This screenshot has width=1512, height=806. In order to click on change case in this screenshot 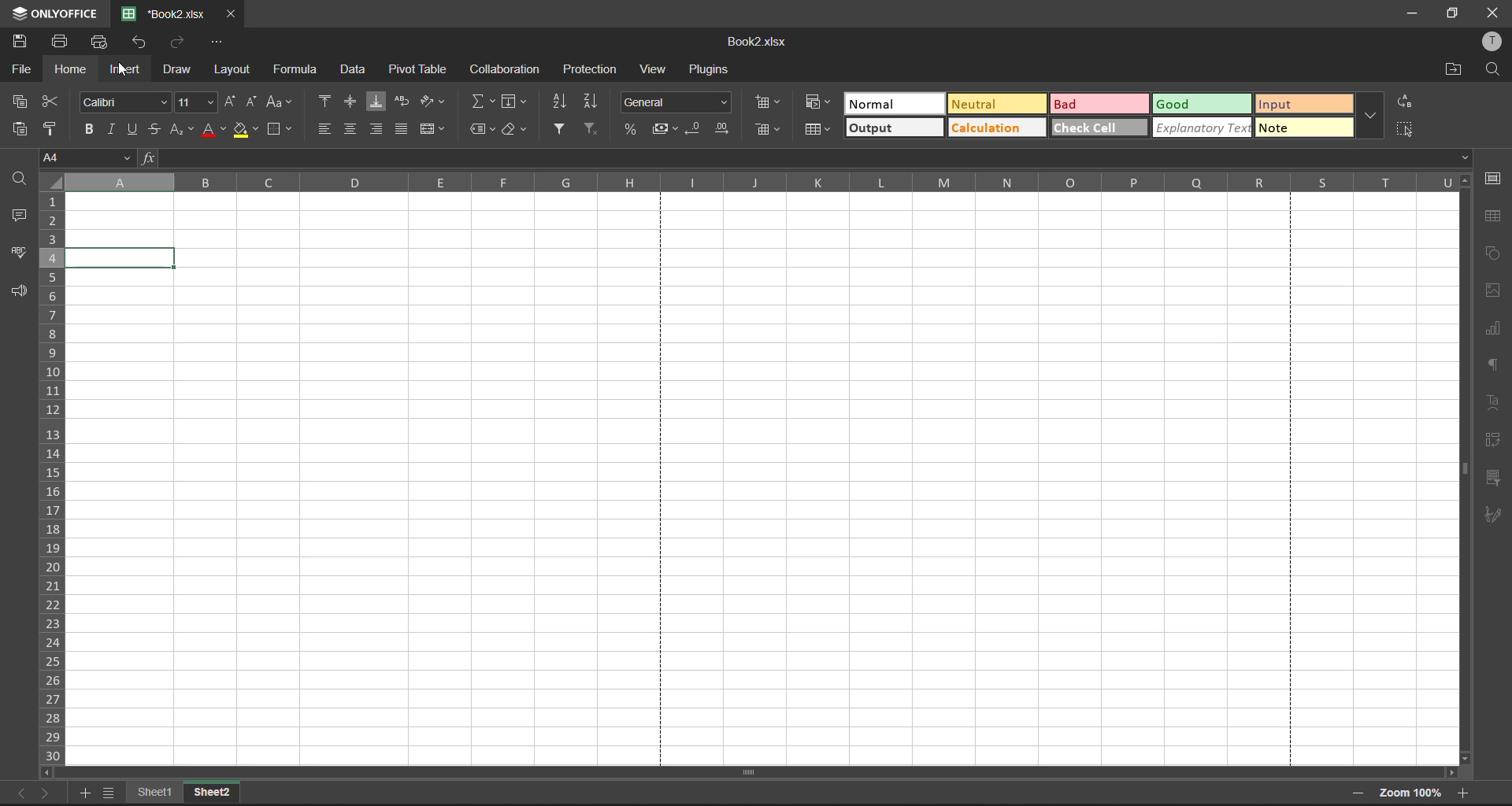, I will do `click(282, 102)`.